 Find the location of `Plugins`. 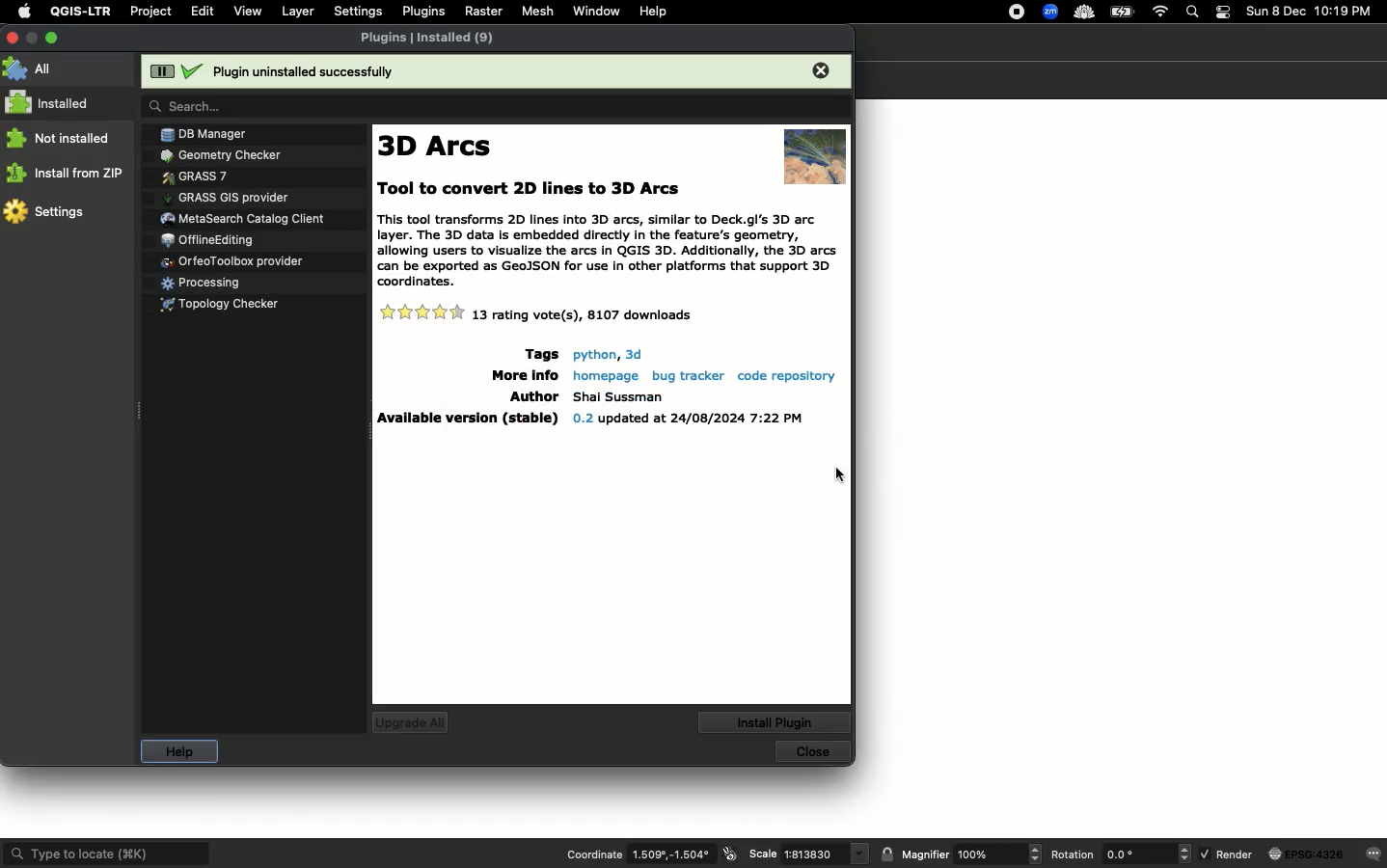

Plugins is located at coordinates (232, 241).